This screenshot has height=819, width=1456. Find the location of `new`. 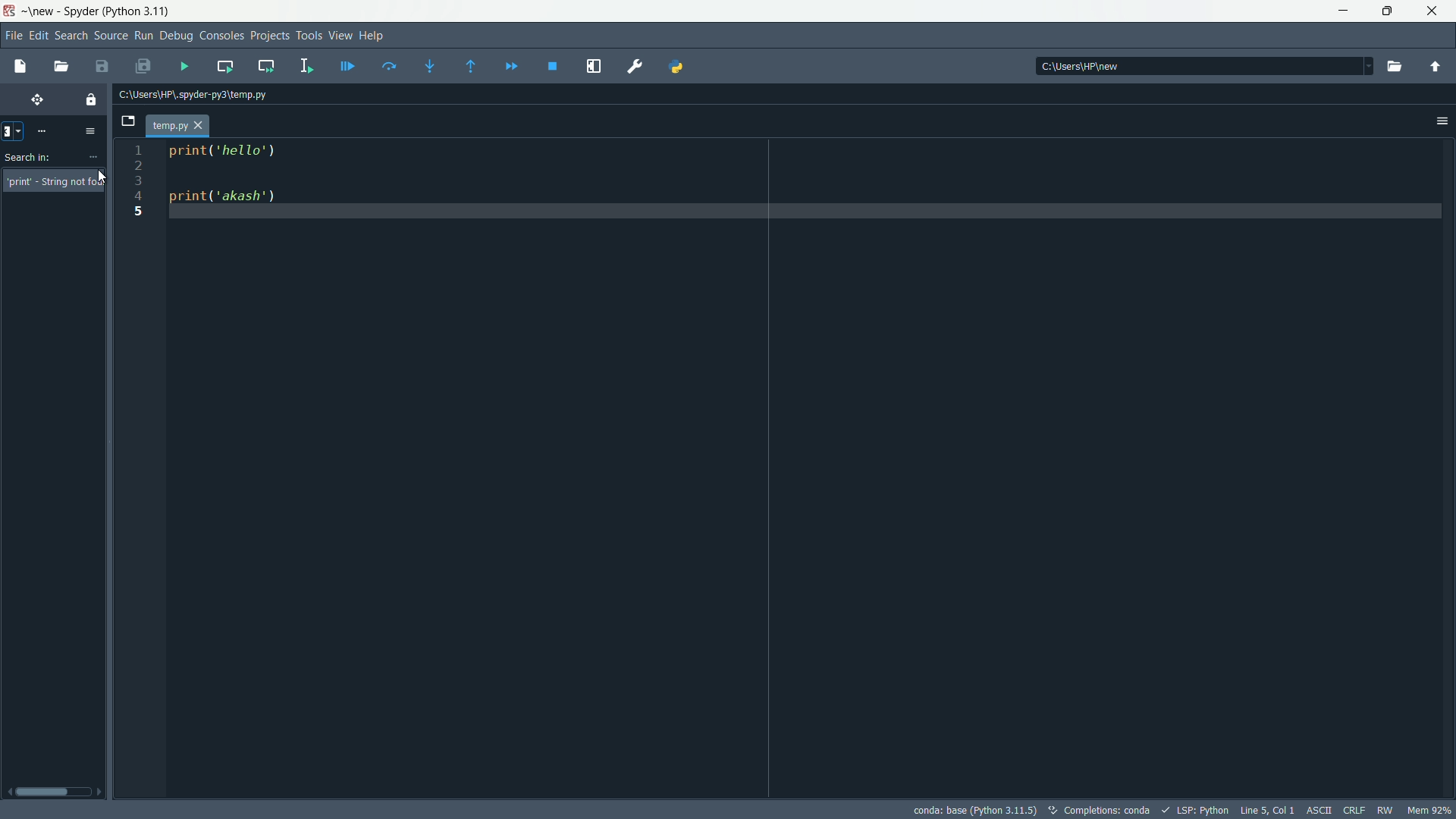

new is located at coordinates (40, 12).